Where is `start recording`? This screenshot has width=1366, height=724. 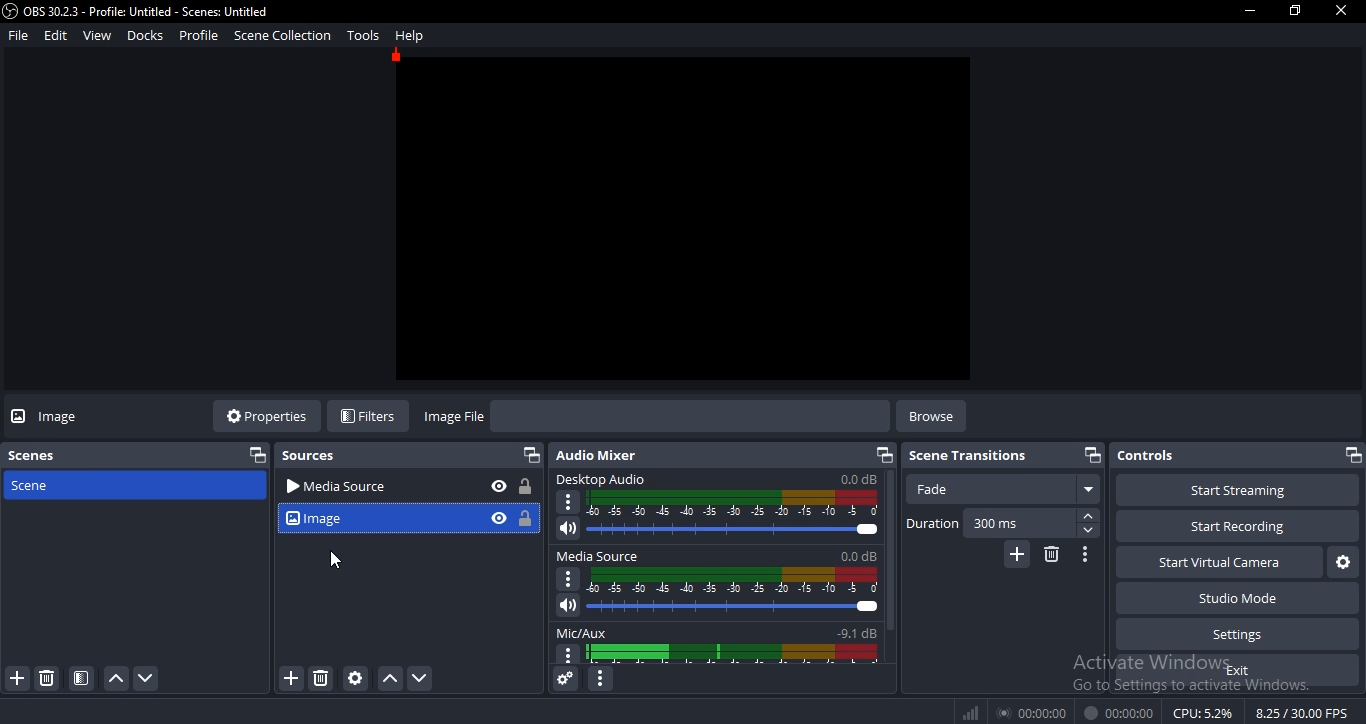
start recording is located at coordinates (1229, 527).